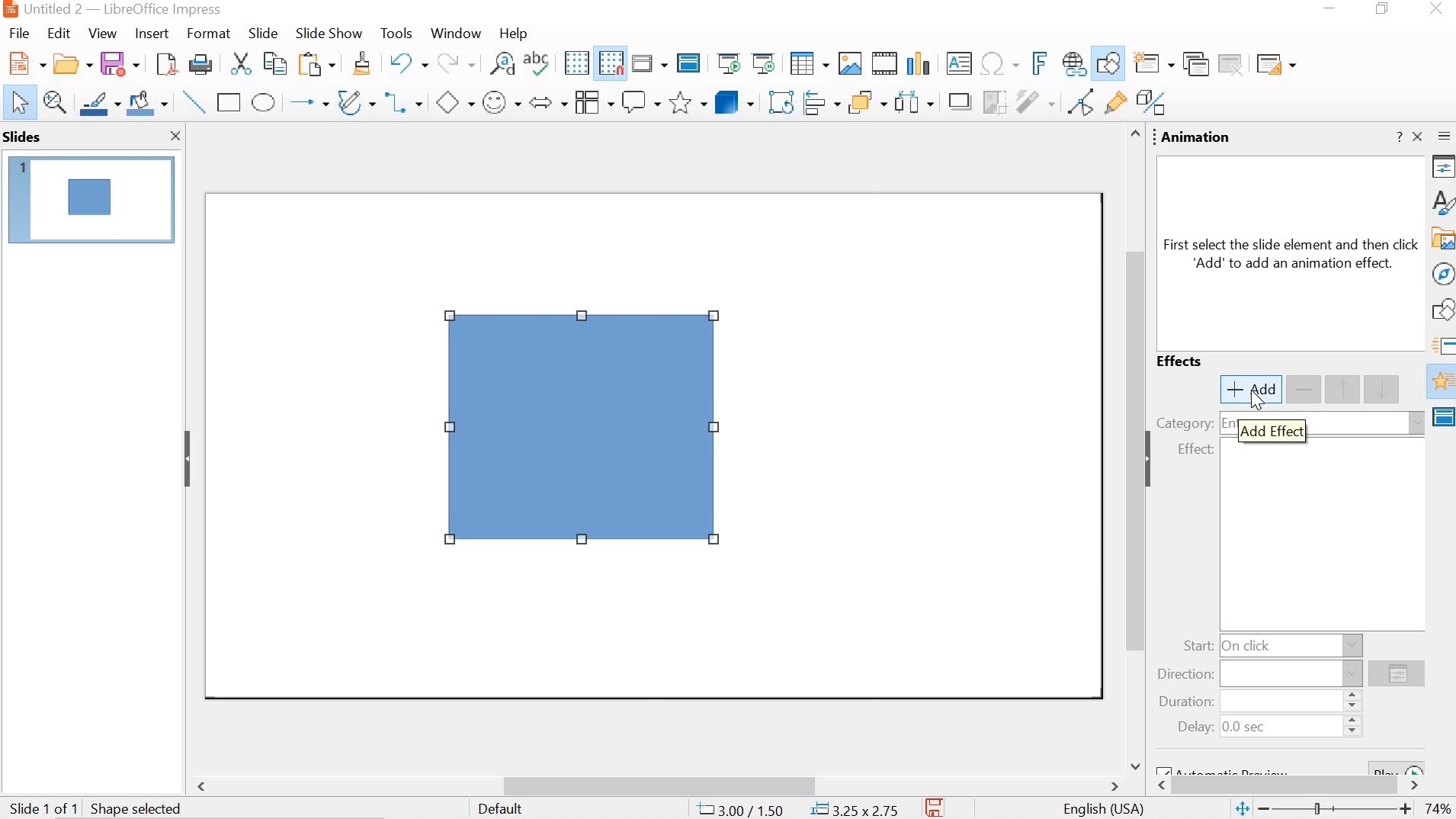 The height and width of the screenshot is (819, 1456). Describe the element at coordinates (1387, 9) in the screenshot. I see `restore down` at that location.